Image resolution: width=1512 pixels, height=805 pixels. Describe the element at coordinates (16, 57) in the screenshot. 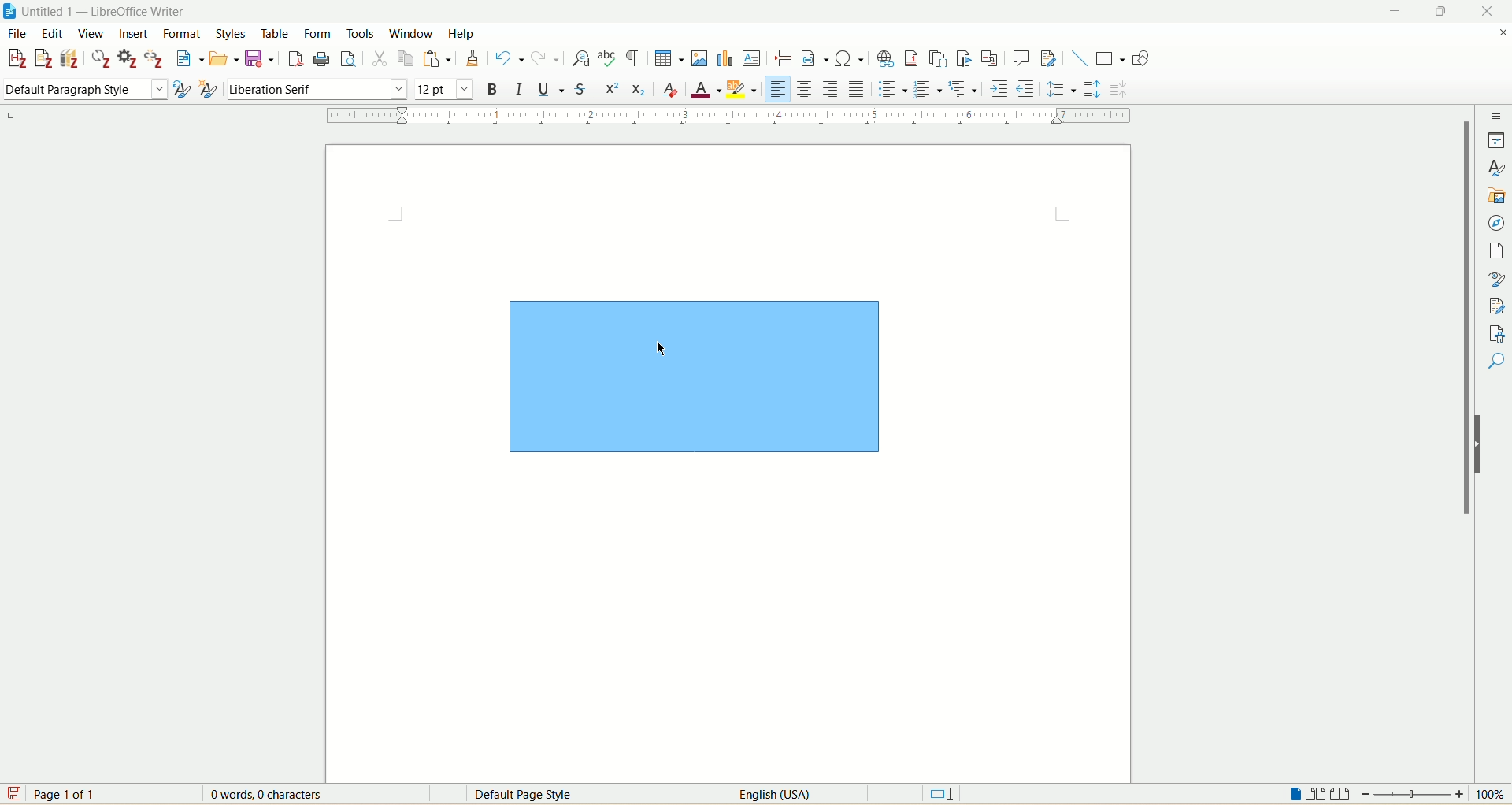

I see `add citation` at that location.